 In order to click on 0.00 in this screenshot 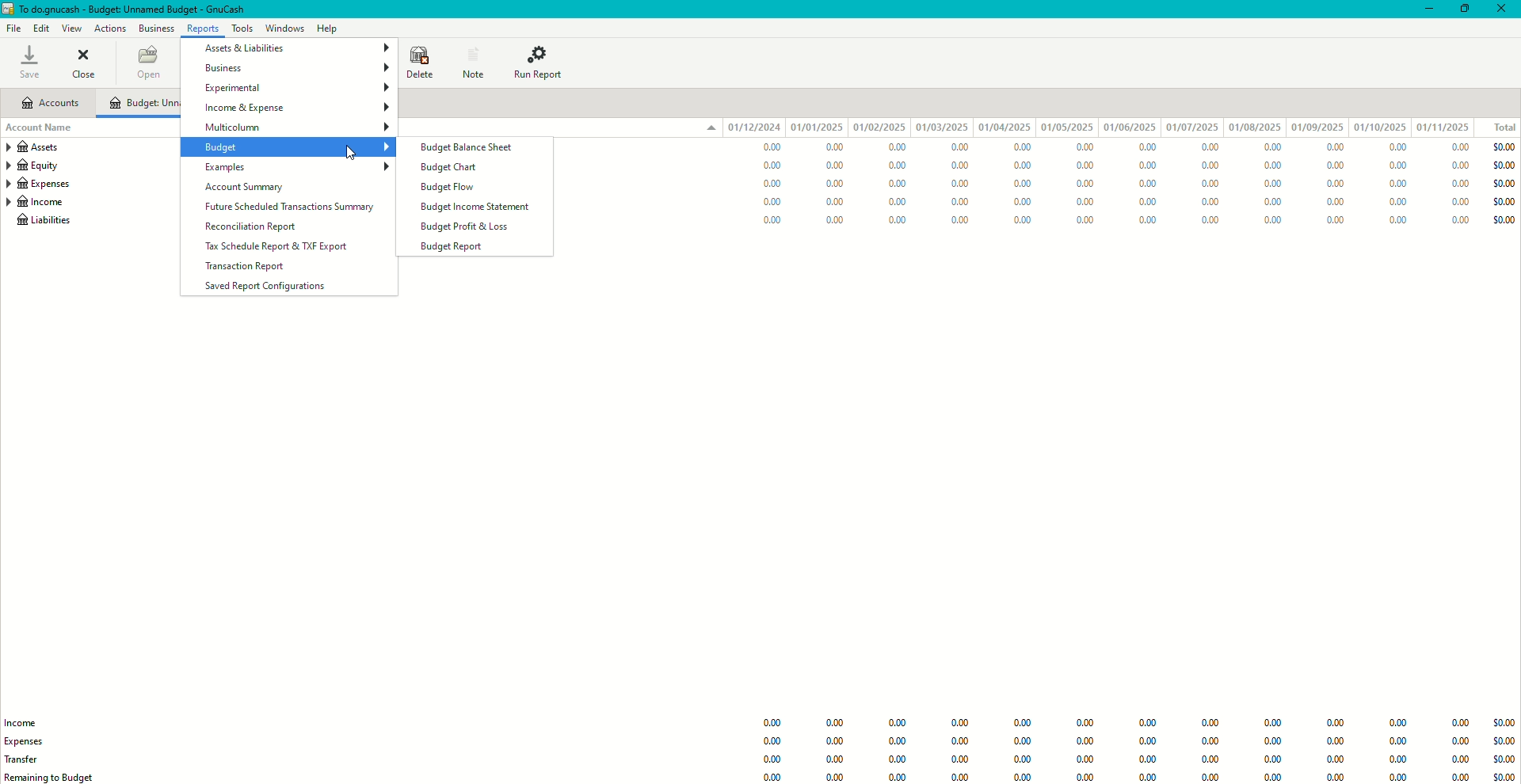, I will do `click(767, 166)`.